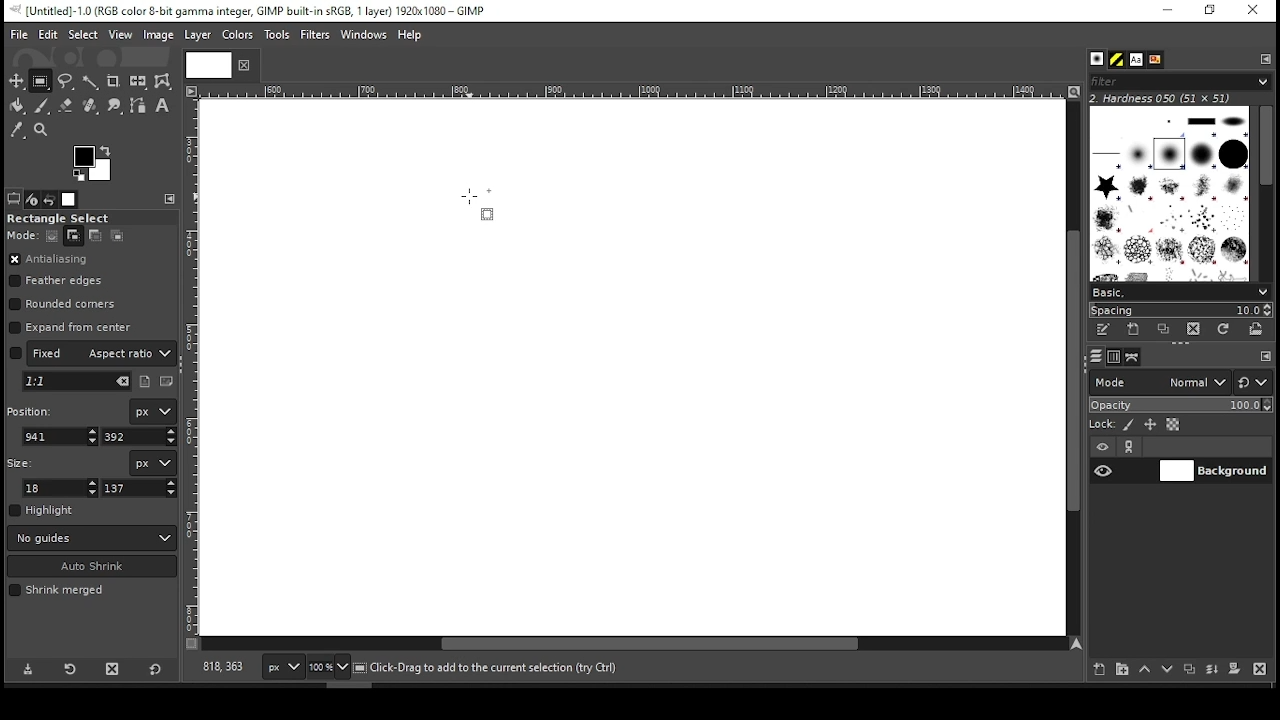 The height and width of the screenshot is (720, 1280). What do you see at coordinates (71, 325) in the screenshot?
I see `expand from center` at bounding box center [71, 325].